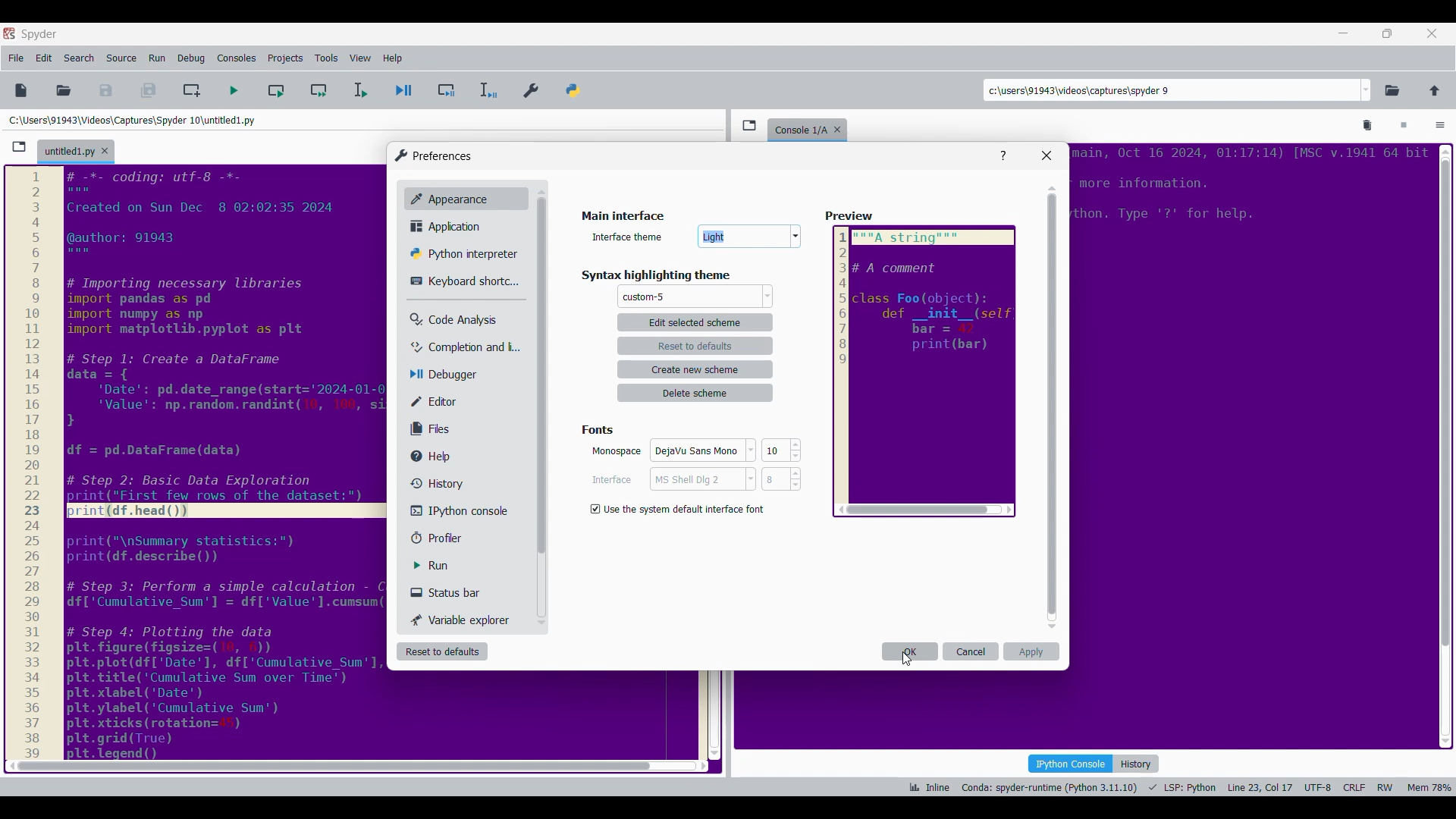 This screenshot has height=819, width=1456. Describe the element at coordinates (1392, 90) in the screenshot. I see `Browse a working directory` at that location.